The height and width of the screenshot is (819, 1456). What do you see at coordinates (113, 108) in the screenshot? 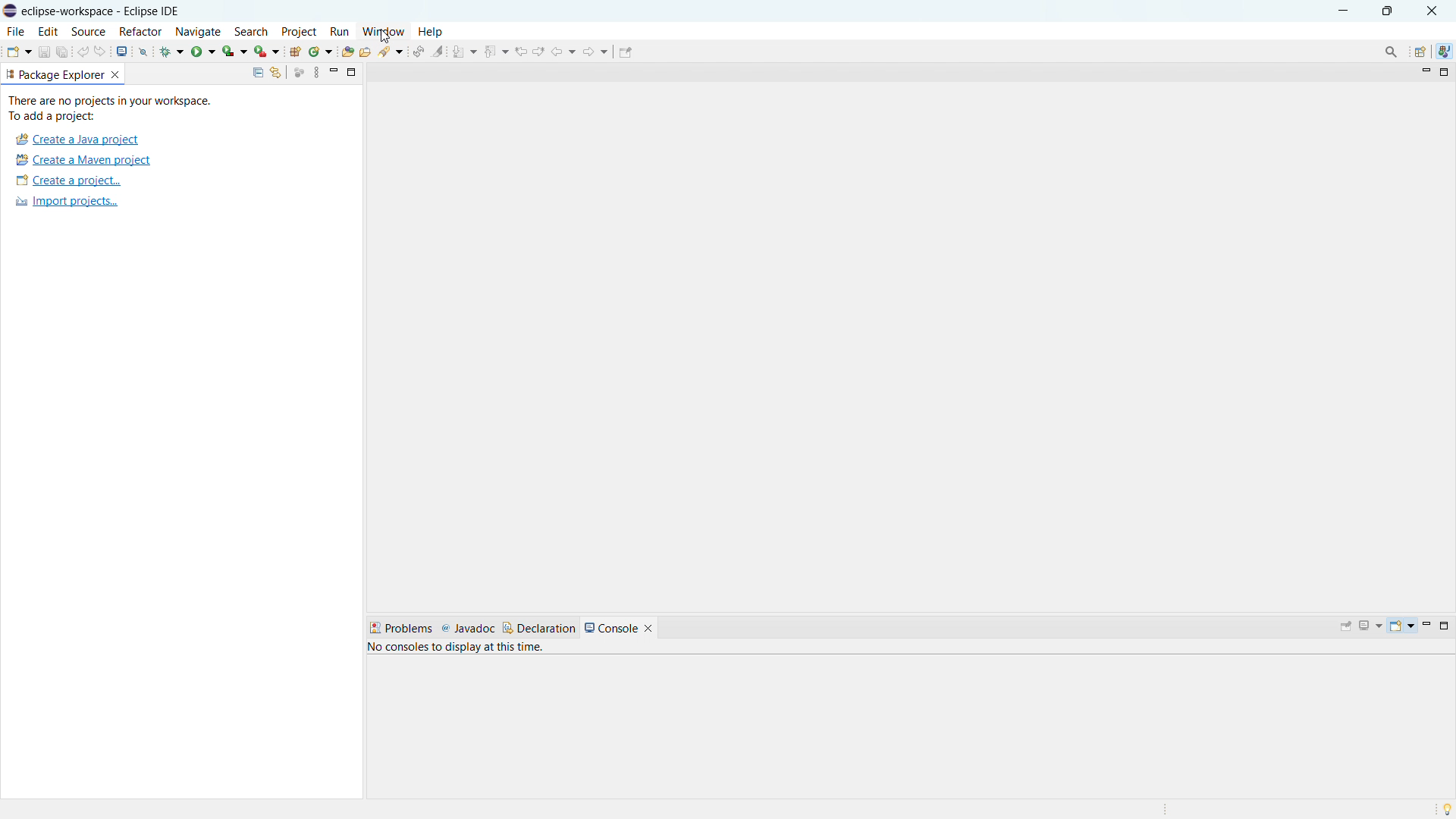
I see `There are no projects in your workspace.
To add a project:` at bounding box center [113, 108].